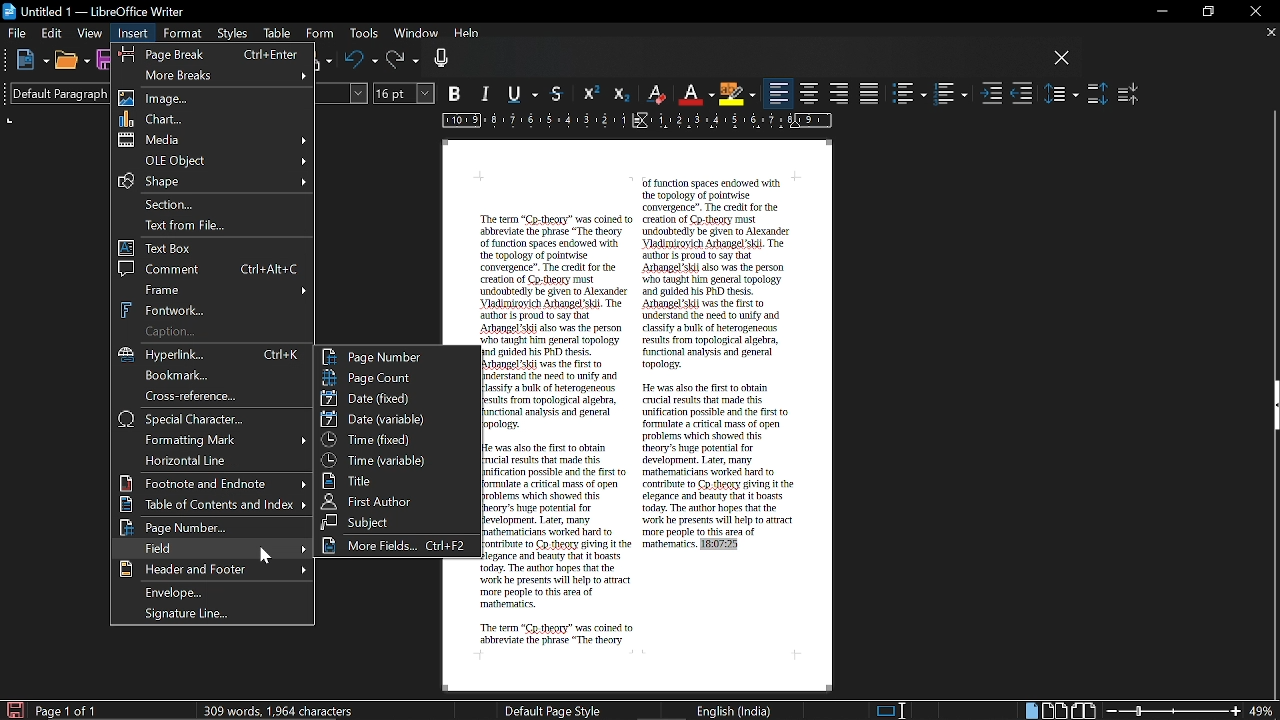 Image resolution: width=1280 pixels, height=720 pixels. What do you see at coordinates (214, 160) in the screenshot?
I see `OLE object` at bounding box center [214, 160].